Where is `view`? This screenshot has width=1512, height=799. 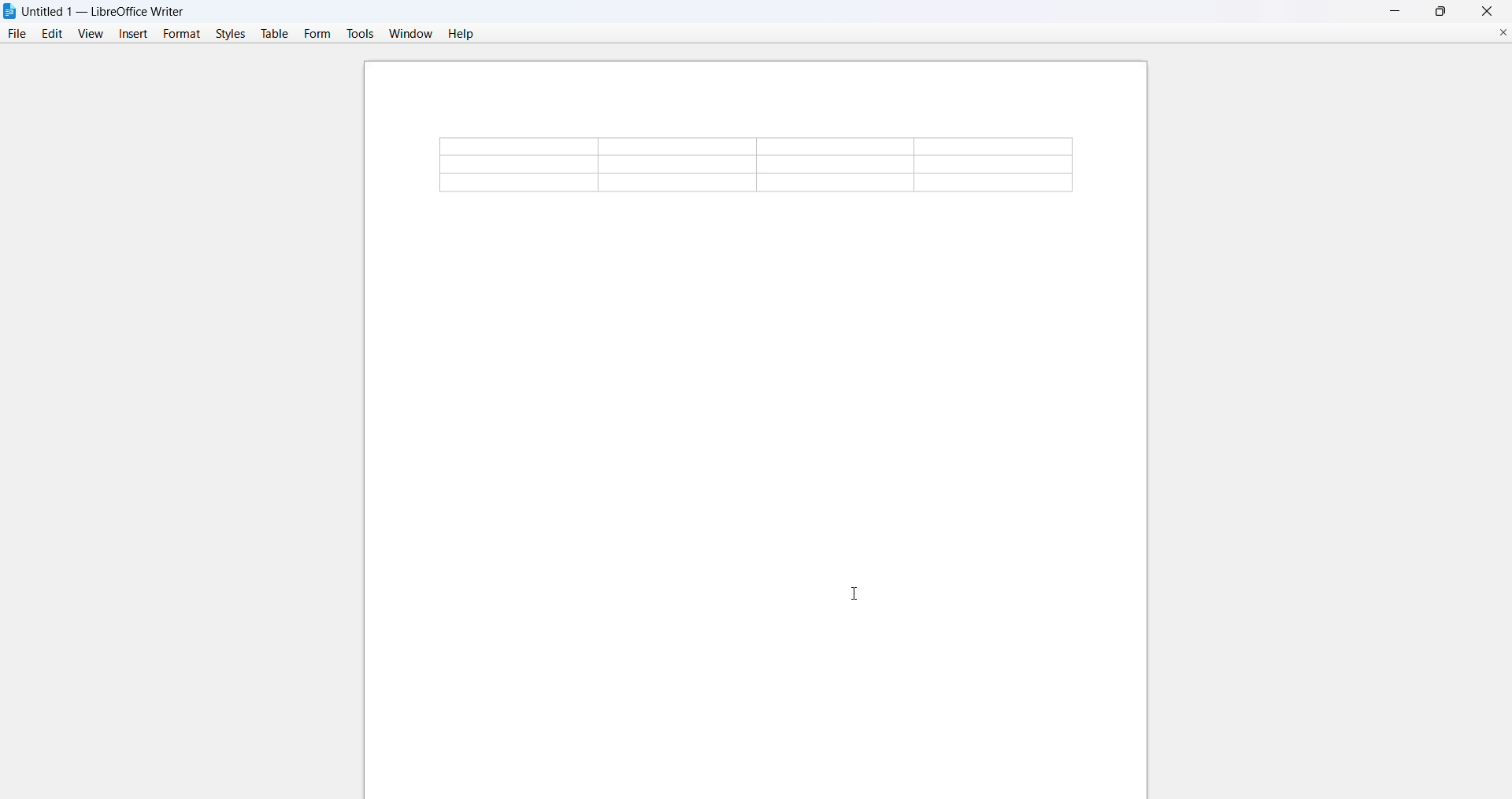
view is located at coordinates (90, 33).